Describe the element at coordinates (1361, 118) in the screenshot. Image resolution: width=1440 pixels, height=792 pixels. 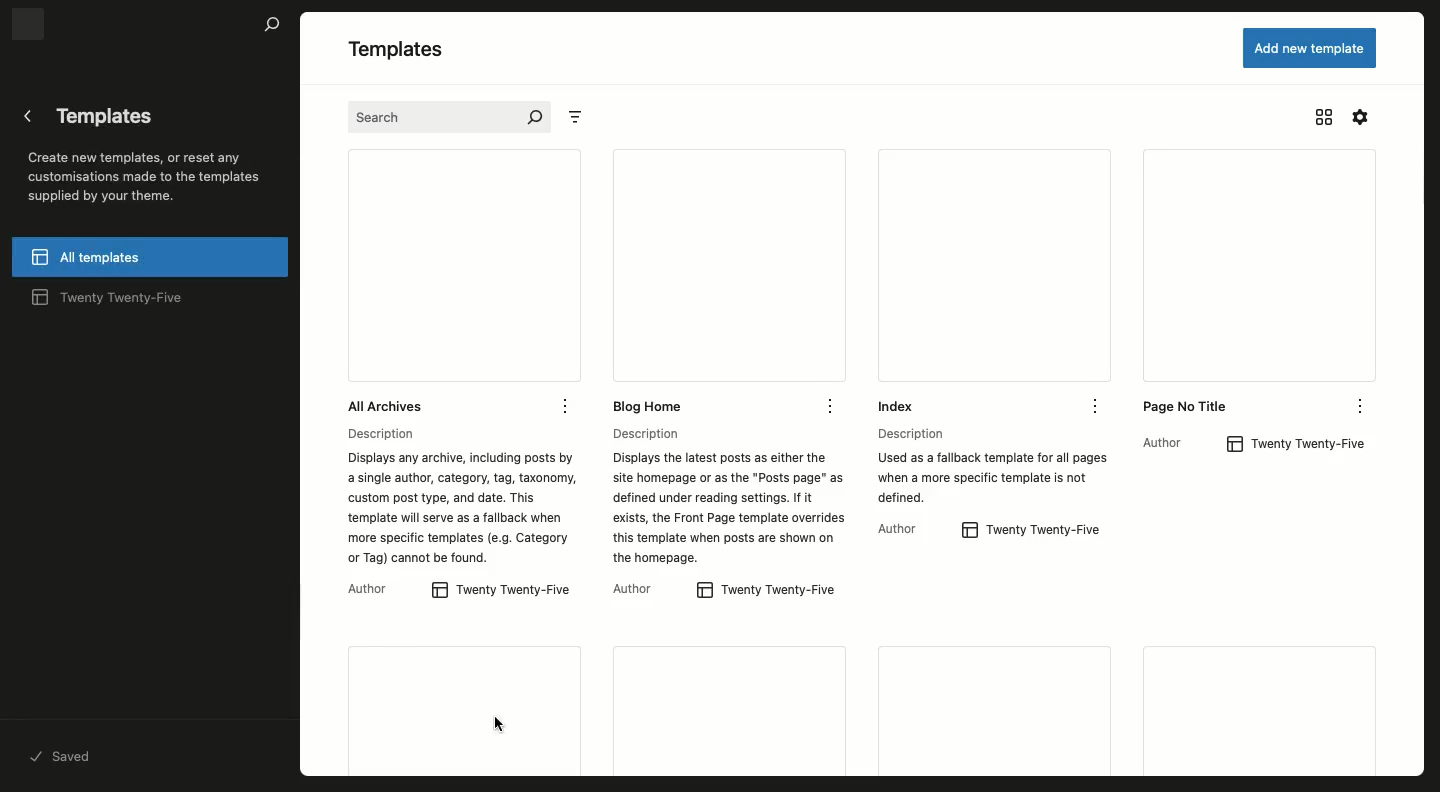
I see `Settings` at that location.